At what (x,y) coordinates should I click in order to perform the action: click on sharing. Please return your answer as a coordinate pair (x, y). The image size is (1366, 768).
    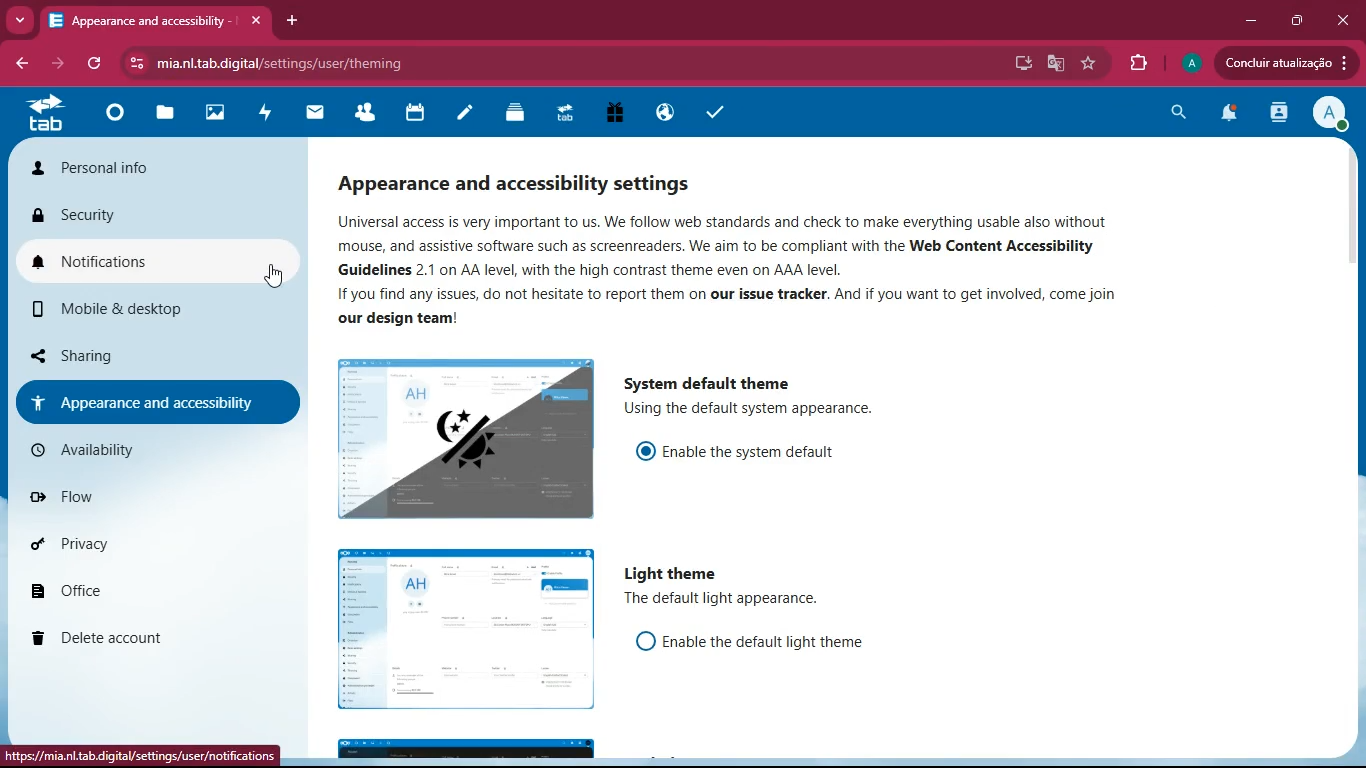
    Looking at the image, I should click on (119, 353).